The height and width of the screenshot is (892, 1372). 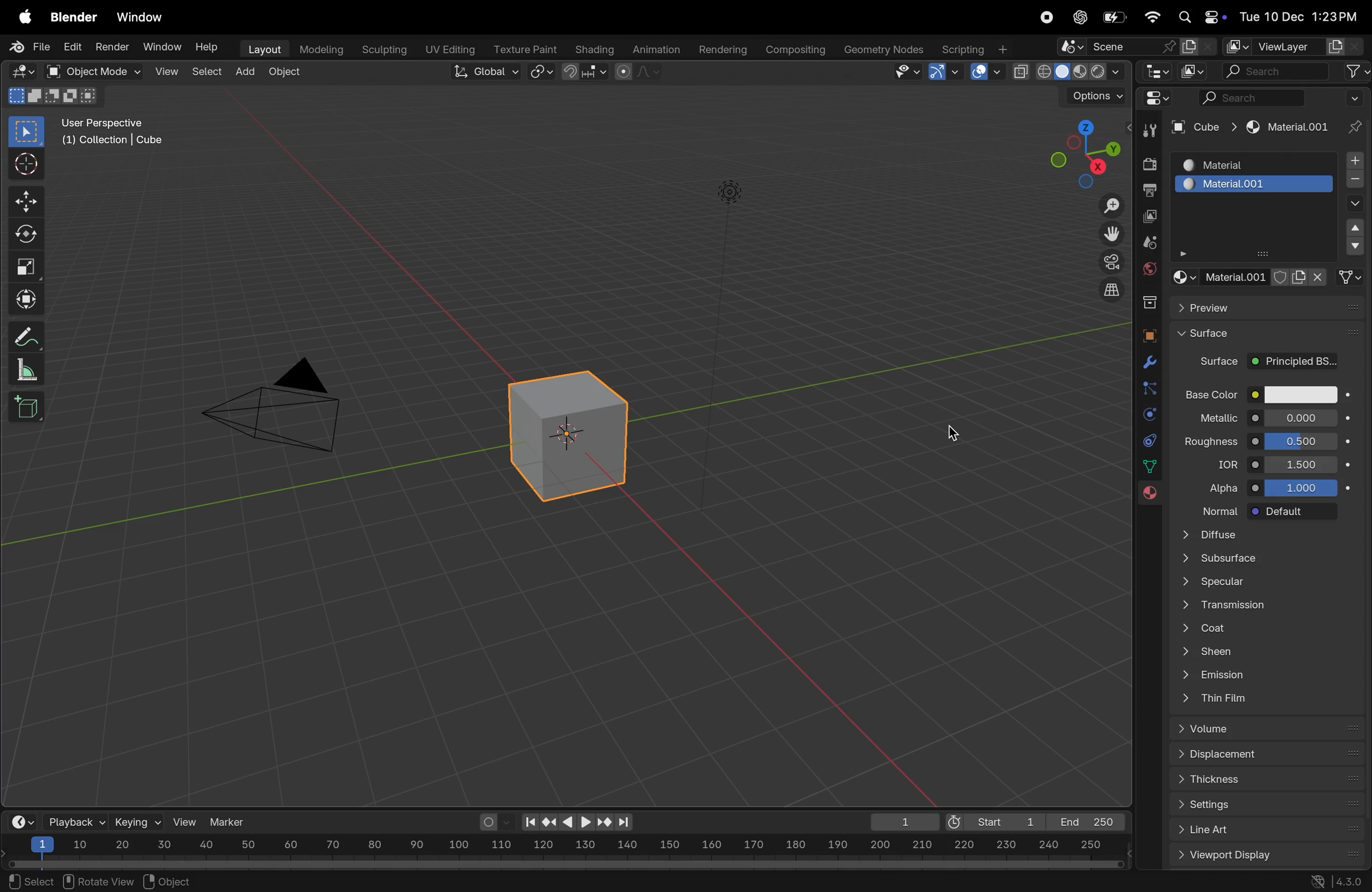 I want to click on add, so click(x=246, y=69).